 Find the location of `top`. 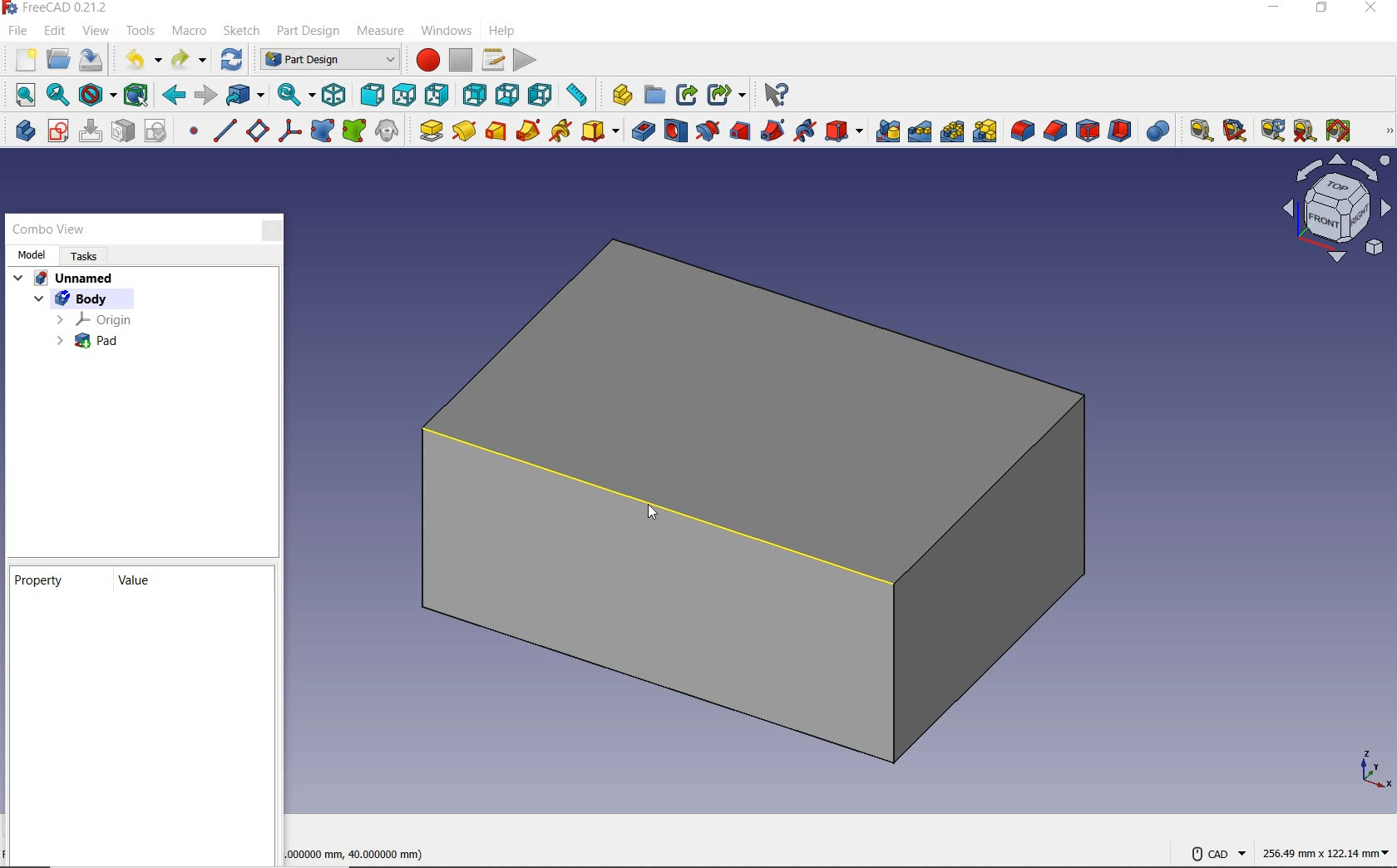

top is located at coordinates (405, 93).